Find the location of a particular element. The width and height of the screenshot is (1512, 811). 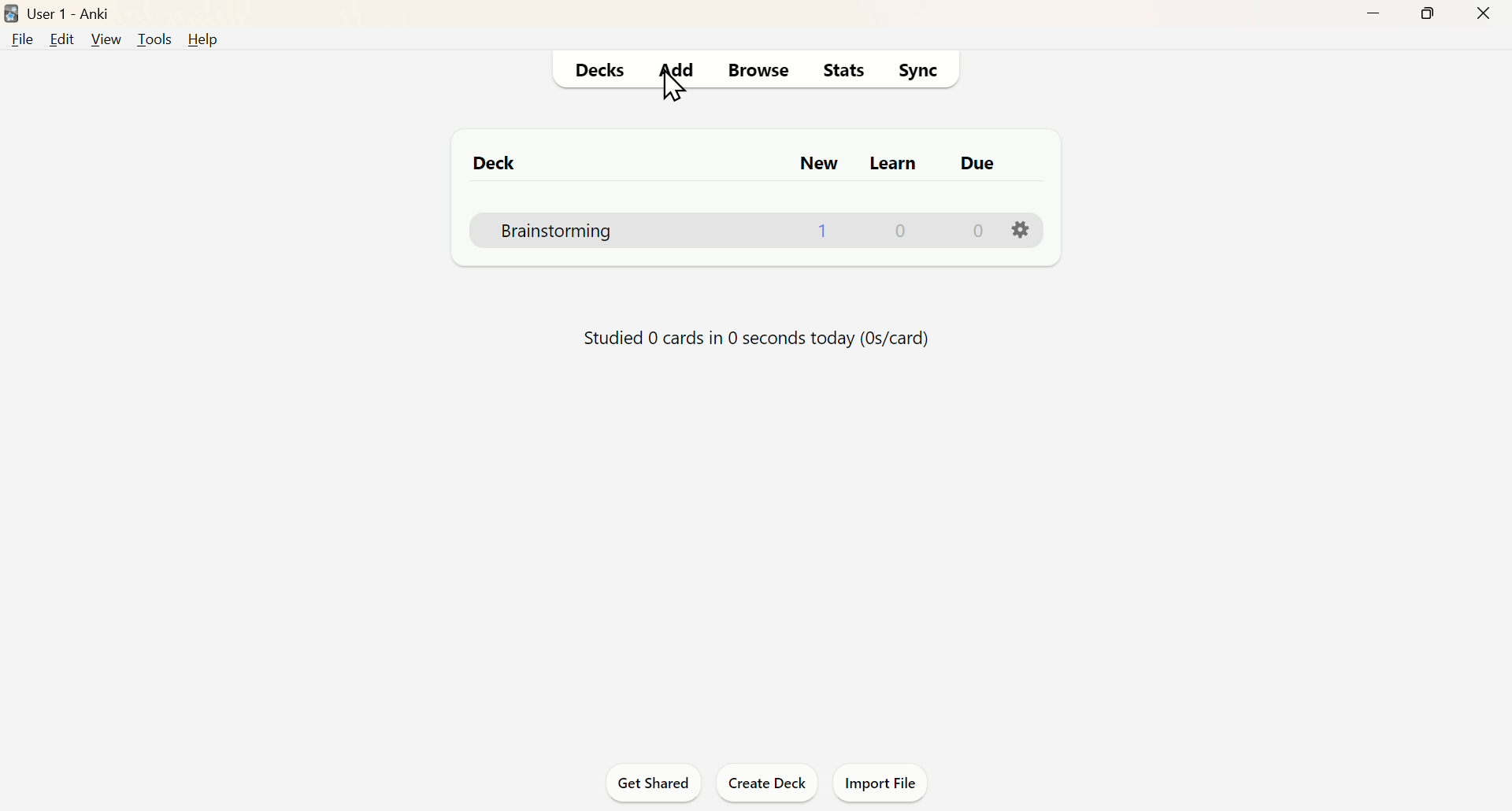

 is located at coordinates (207, 39).